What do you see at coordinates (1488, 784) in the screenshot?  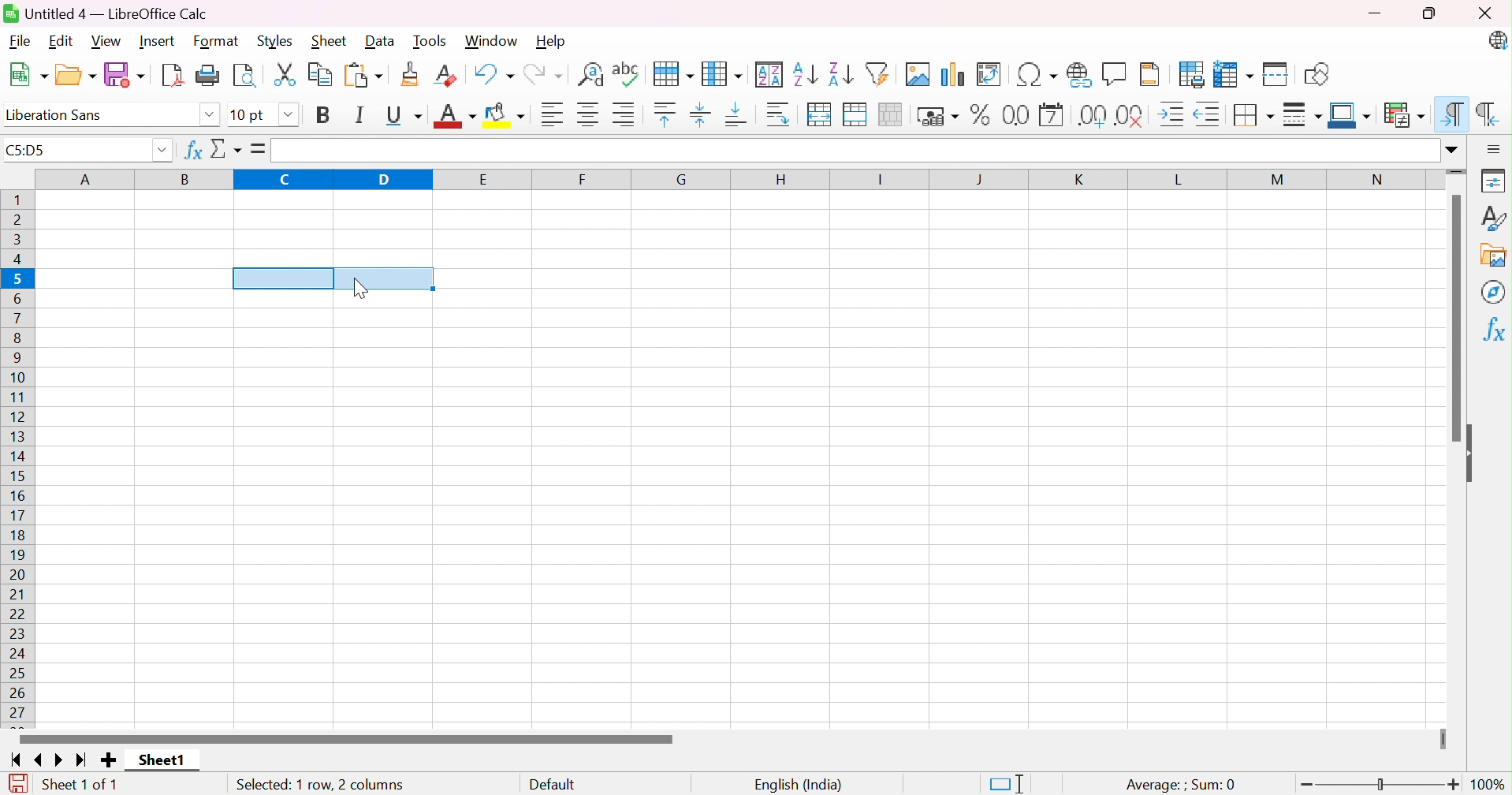 I see `100%` at bounding box center [1488, 784].